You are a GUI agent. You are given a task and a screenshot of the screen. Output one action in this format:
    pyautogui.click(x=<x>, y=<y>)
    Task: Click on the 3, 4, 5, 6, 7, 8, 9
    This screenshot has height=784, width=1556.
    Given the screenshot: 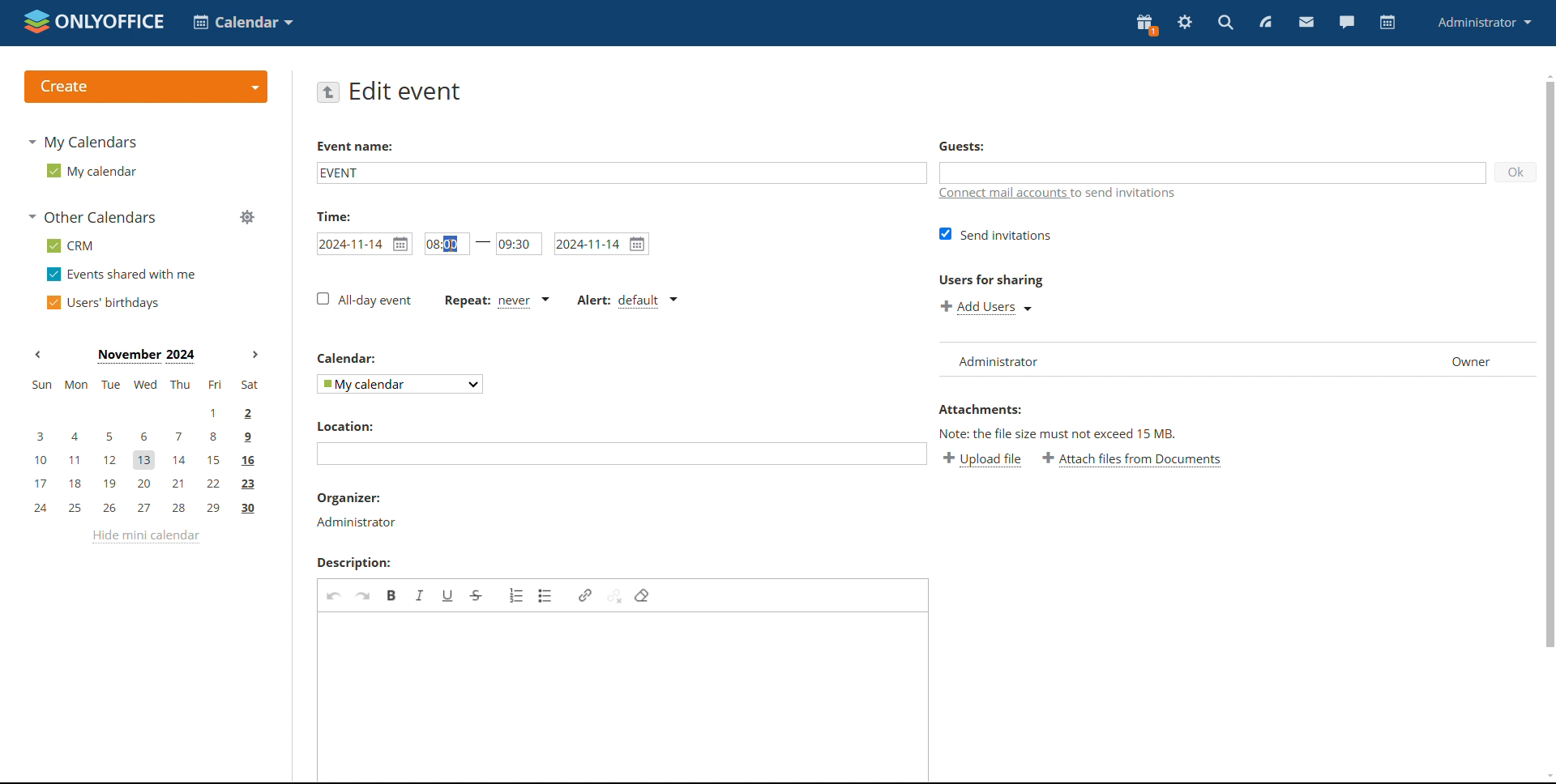 What is the action you would take?
    pyautogui.click(x=139, y=436)
    